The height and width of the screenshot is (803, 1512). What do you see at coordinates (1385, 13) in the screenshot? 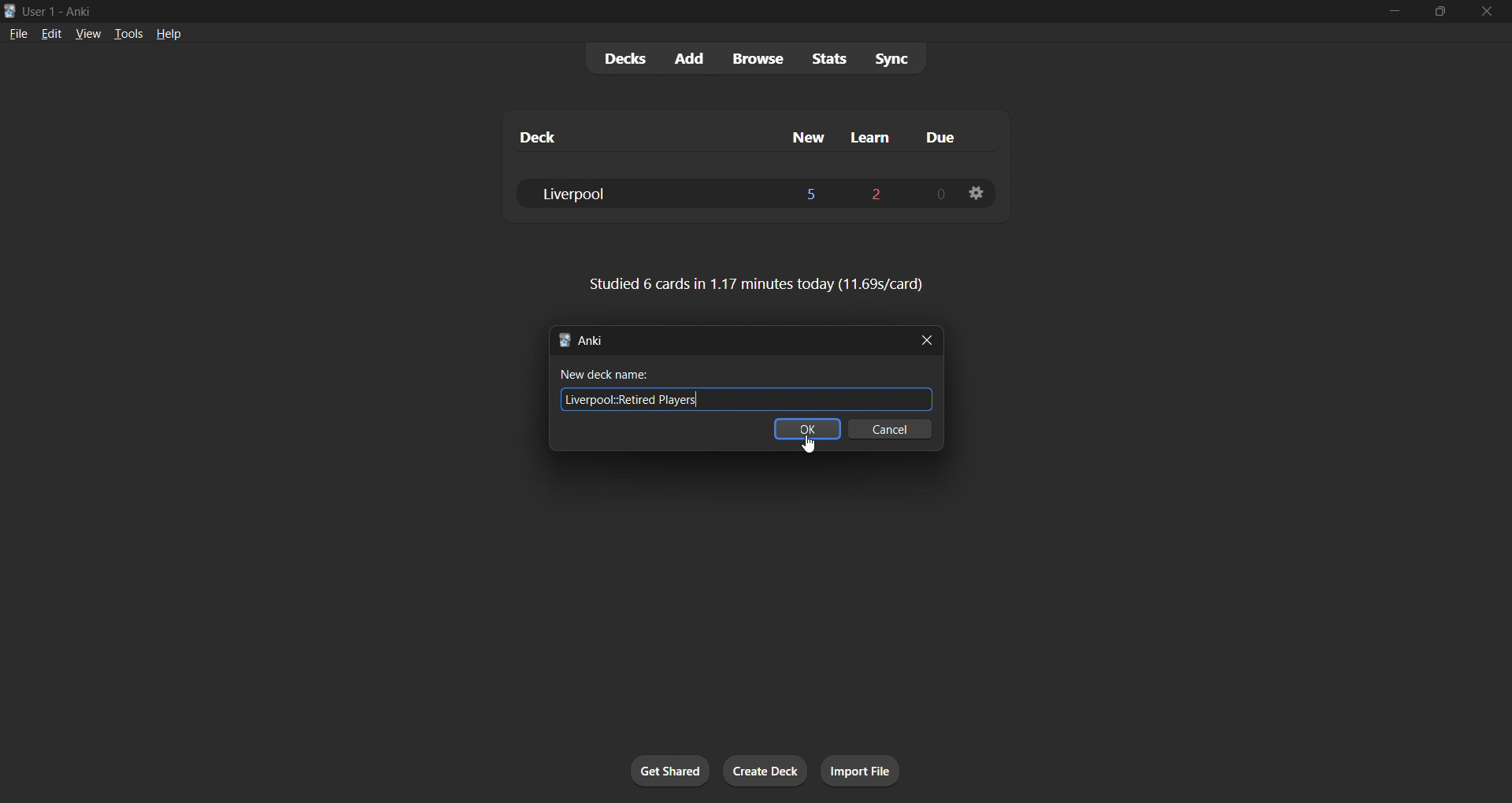
I see `minimize` at bounding box center [1385, 13].